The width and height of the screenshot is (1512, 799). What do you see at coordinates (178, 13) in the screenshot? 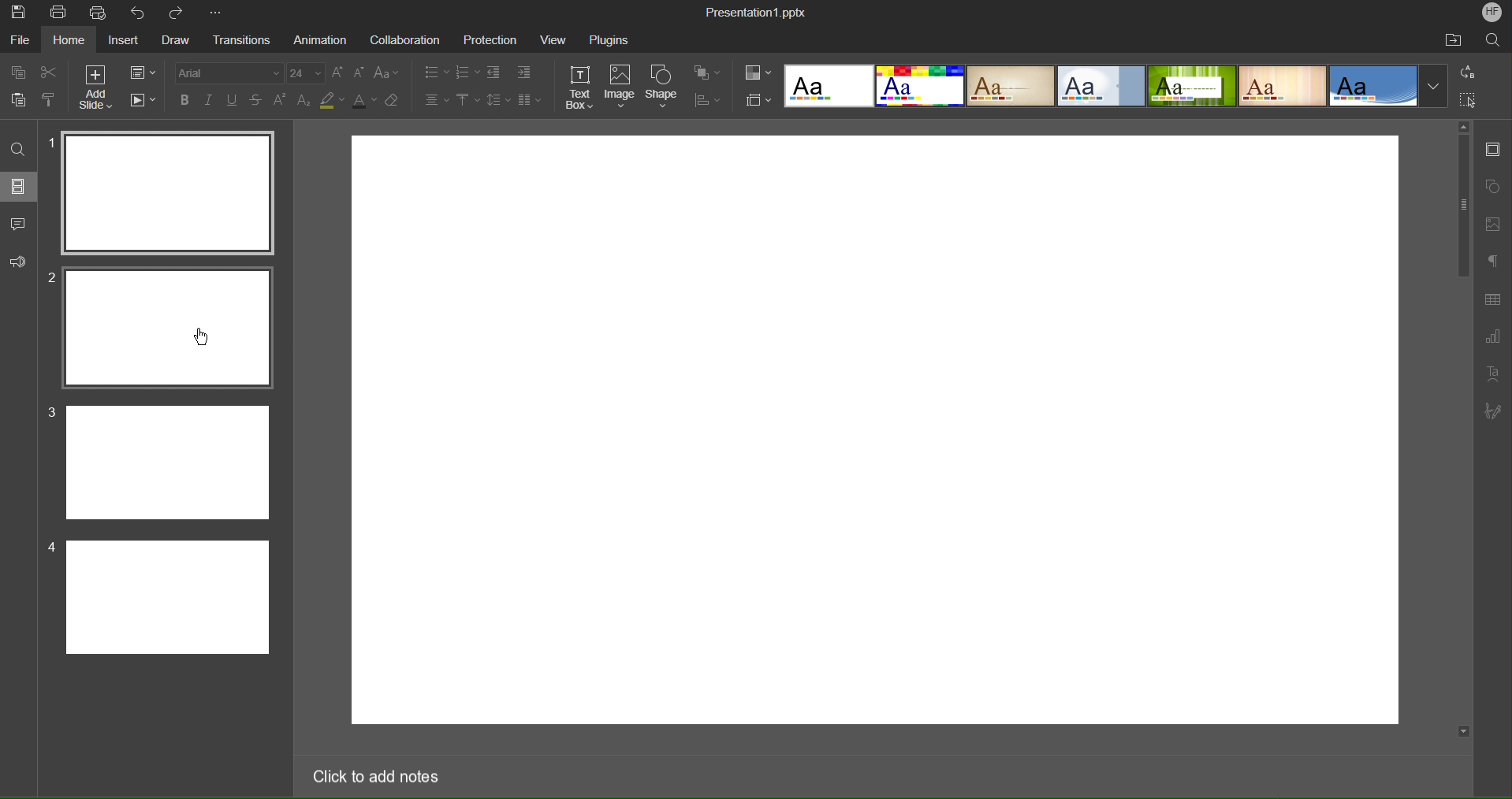
I see `Redo` at bounding box center [178, 13].